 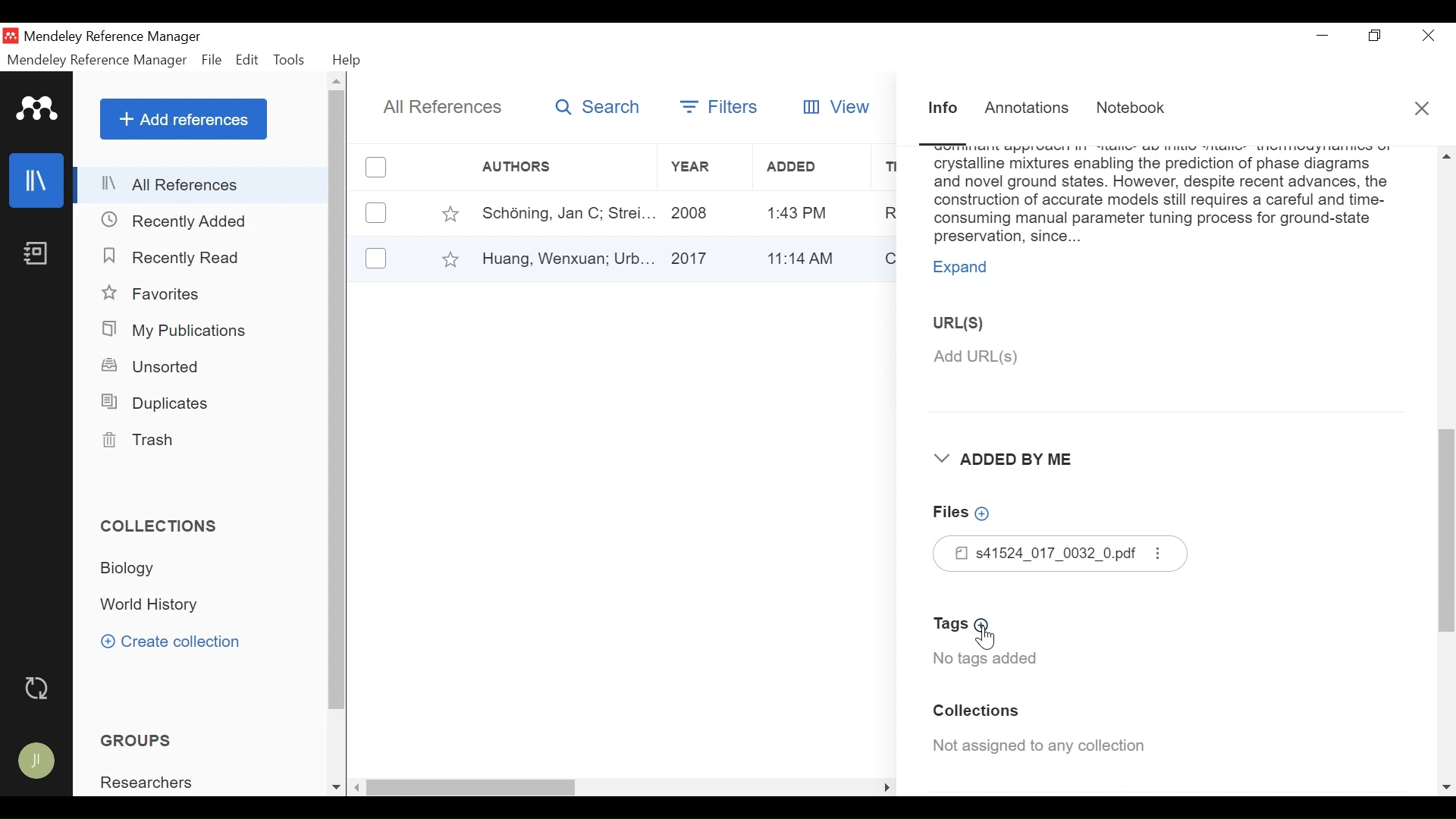 I want to click on Mendeley Reference Manager, so click(x=97, y=62).